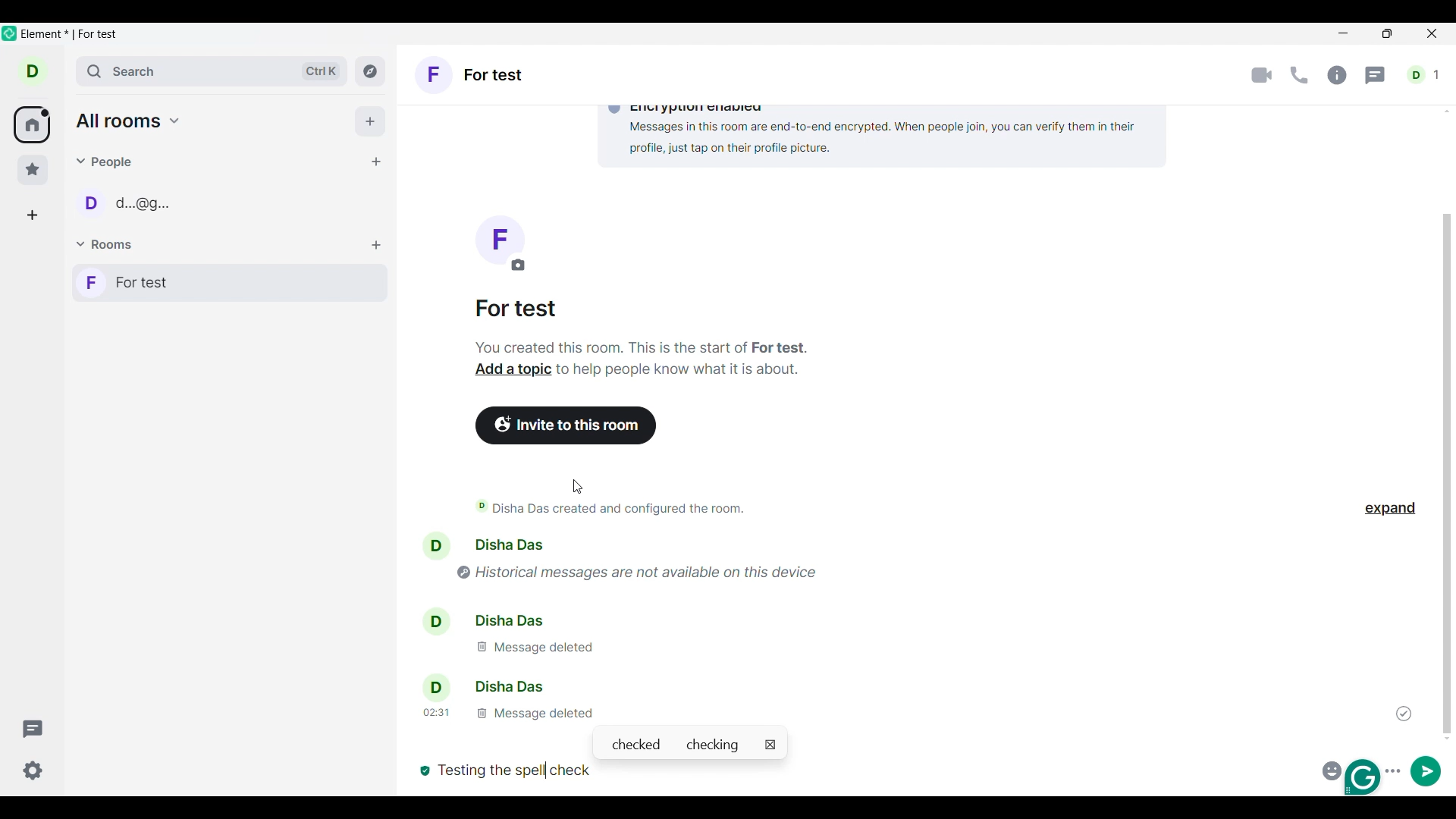 This screenshot has height=819, width=1456. I want to click on testing the spell check, so click(522, 770).